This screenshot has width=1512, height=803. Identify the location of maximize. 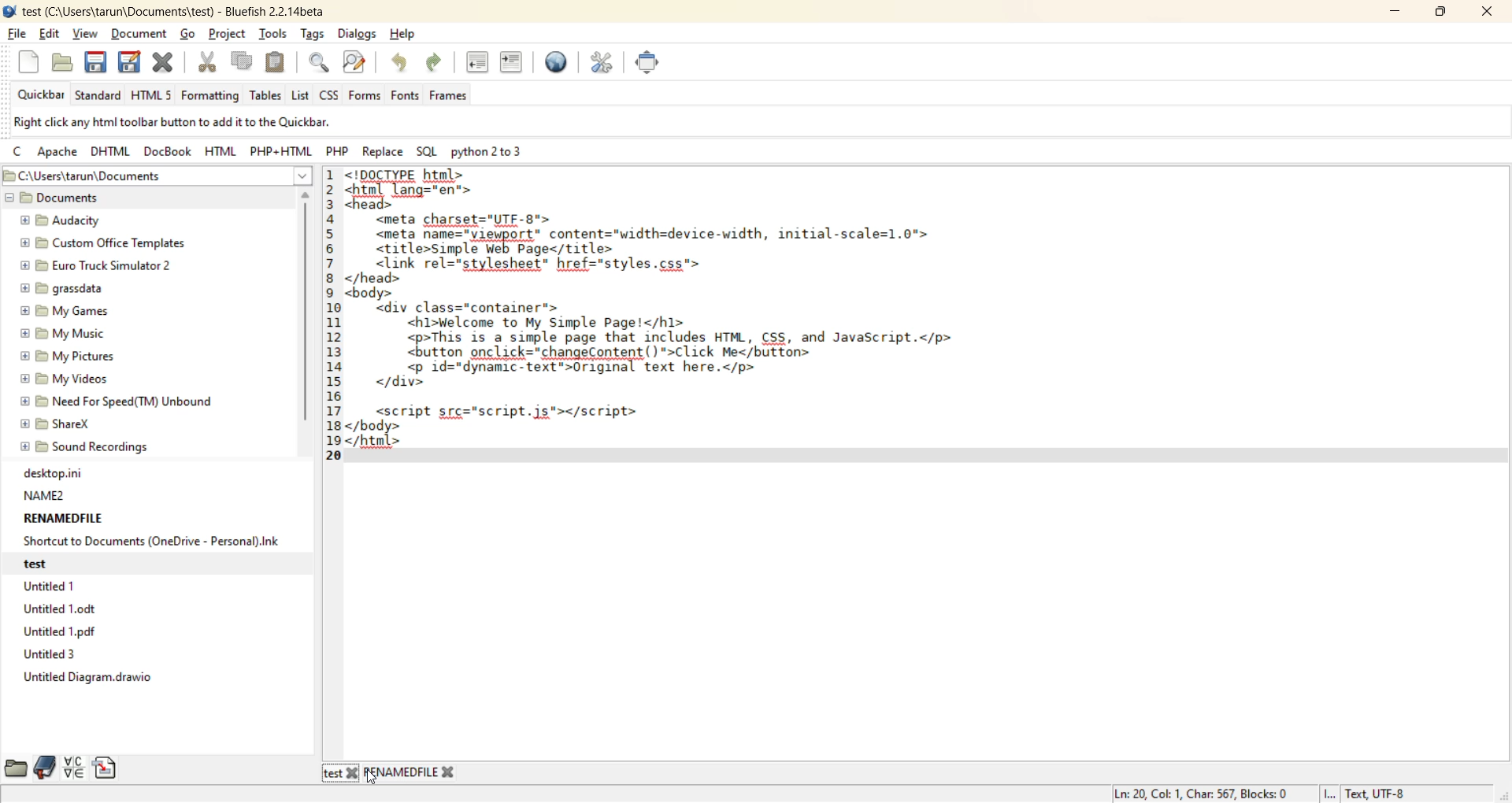
(1440, 13).